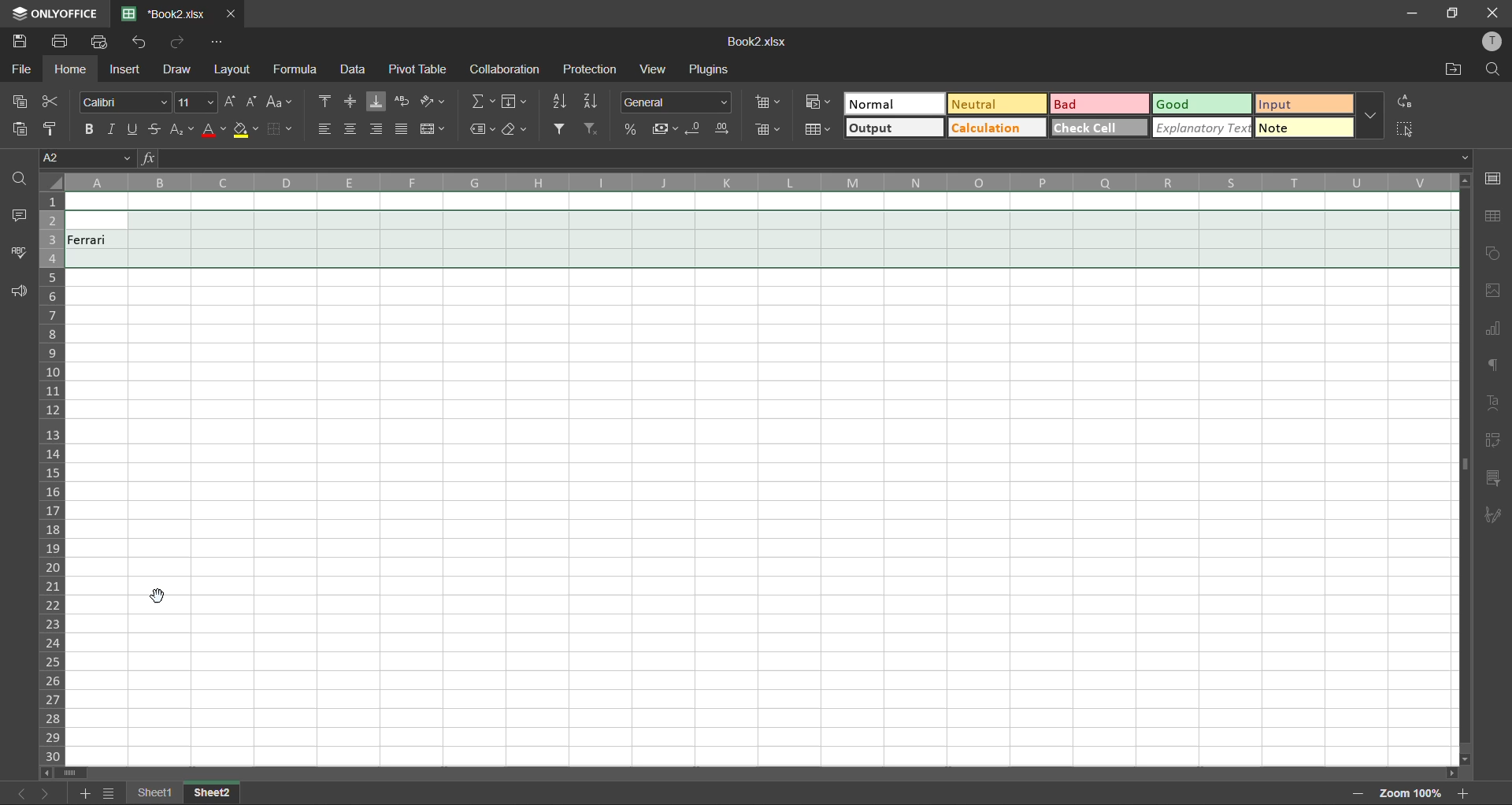  Describe the element at coordinates (813, 160) in the screenshot. I see `formula bar` at that location.